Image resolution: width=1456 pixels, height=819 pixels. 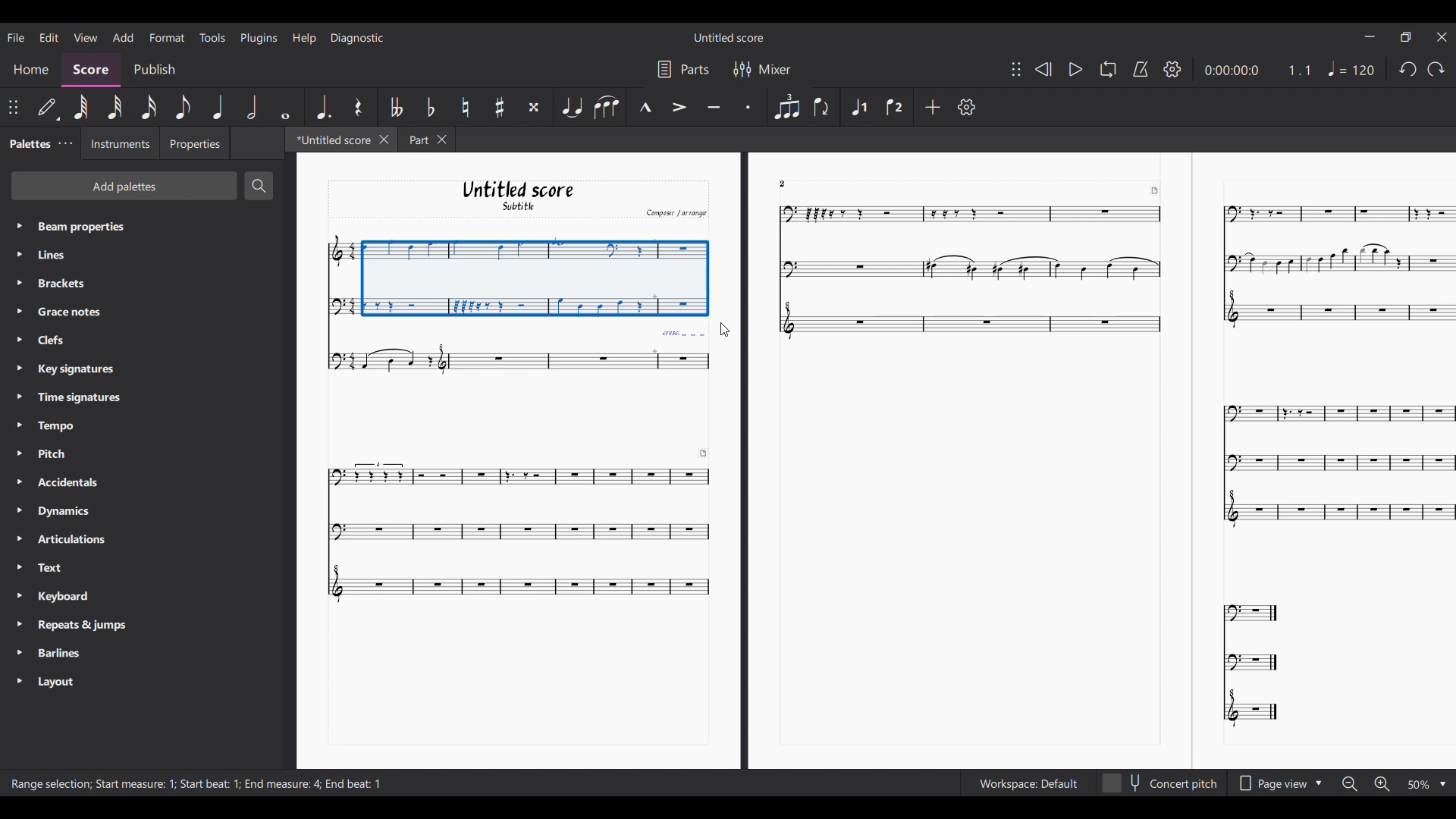 I want to click on Edit, so click(x=49, y=37).